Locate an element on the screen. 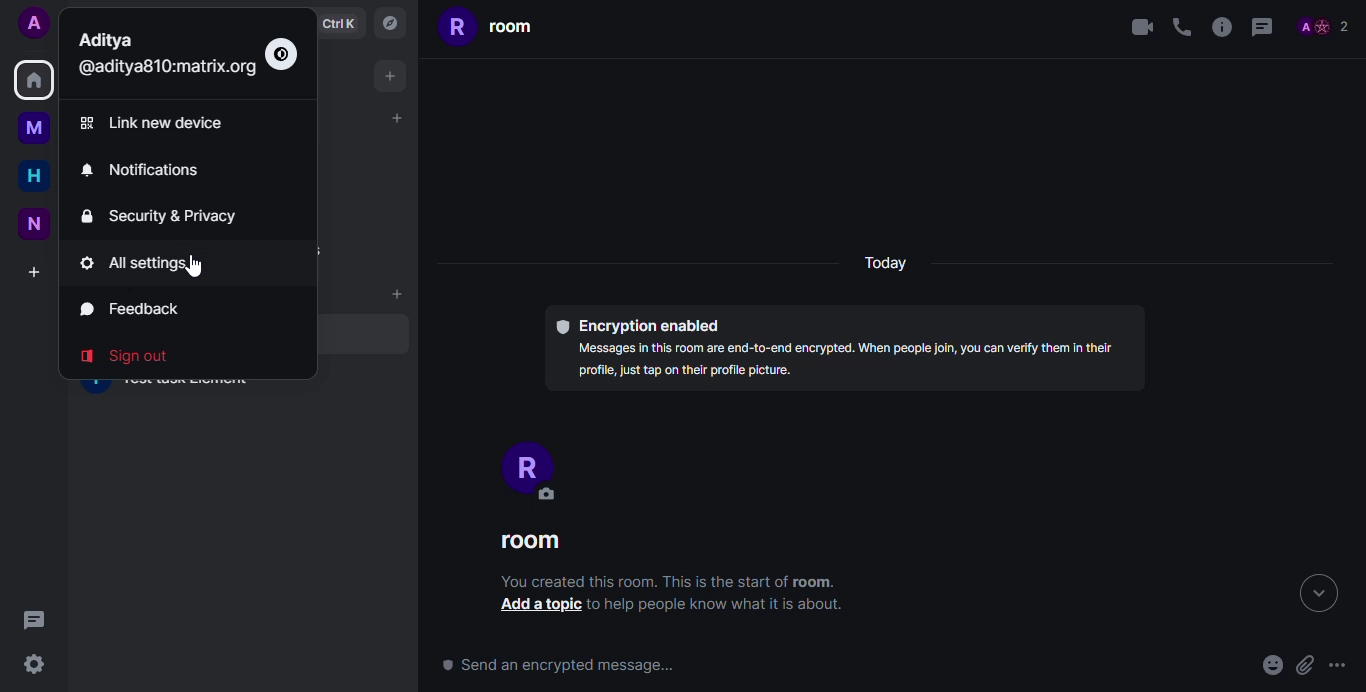 This screenshot has height=692, width=1366. switch to light mode is located at coordinates (282, 53).